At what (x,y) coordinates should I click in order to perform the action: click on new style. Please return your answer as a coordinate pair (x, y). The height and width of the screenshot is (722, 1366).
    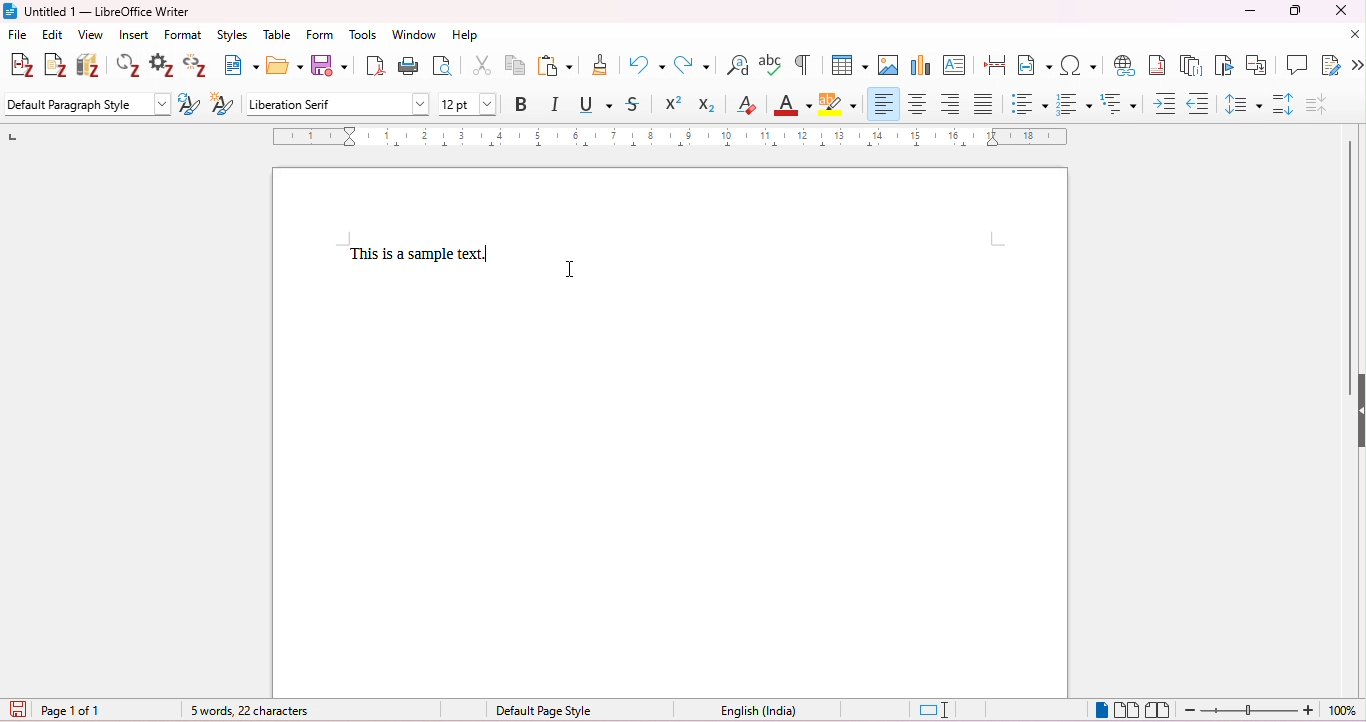
    Looking at the image, I should click on (224, 105).